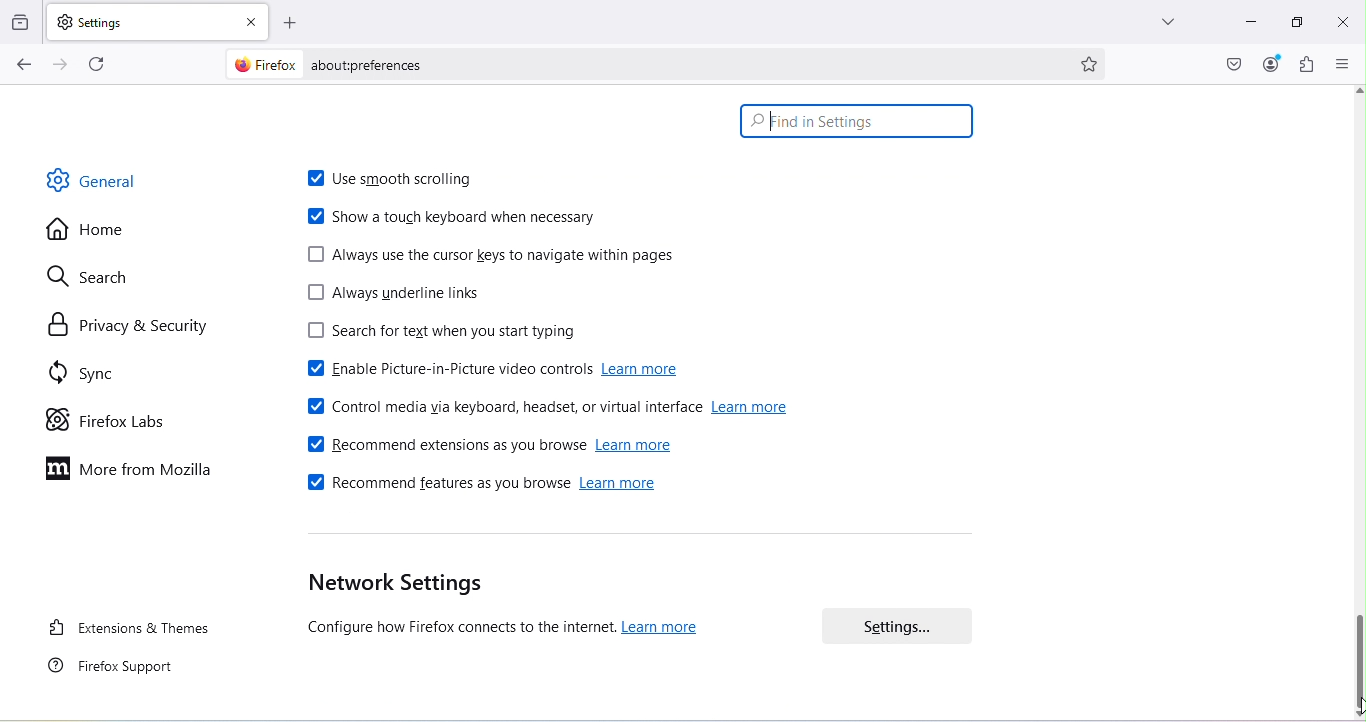 Image resolution: width=1366 pixels, height=722 pixels. What do you see at coordinates (121, 470) in the screenshot?
I see `More on mozilla` at bounding box center [121, 470].